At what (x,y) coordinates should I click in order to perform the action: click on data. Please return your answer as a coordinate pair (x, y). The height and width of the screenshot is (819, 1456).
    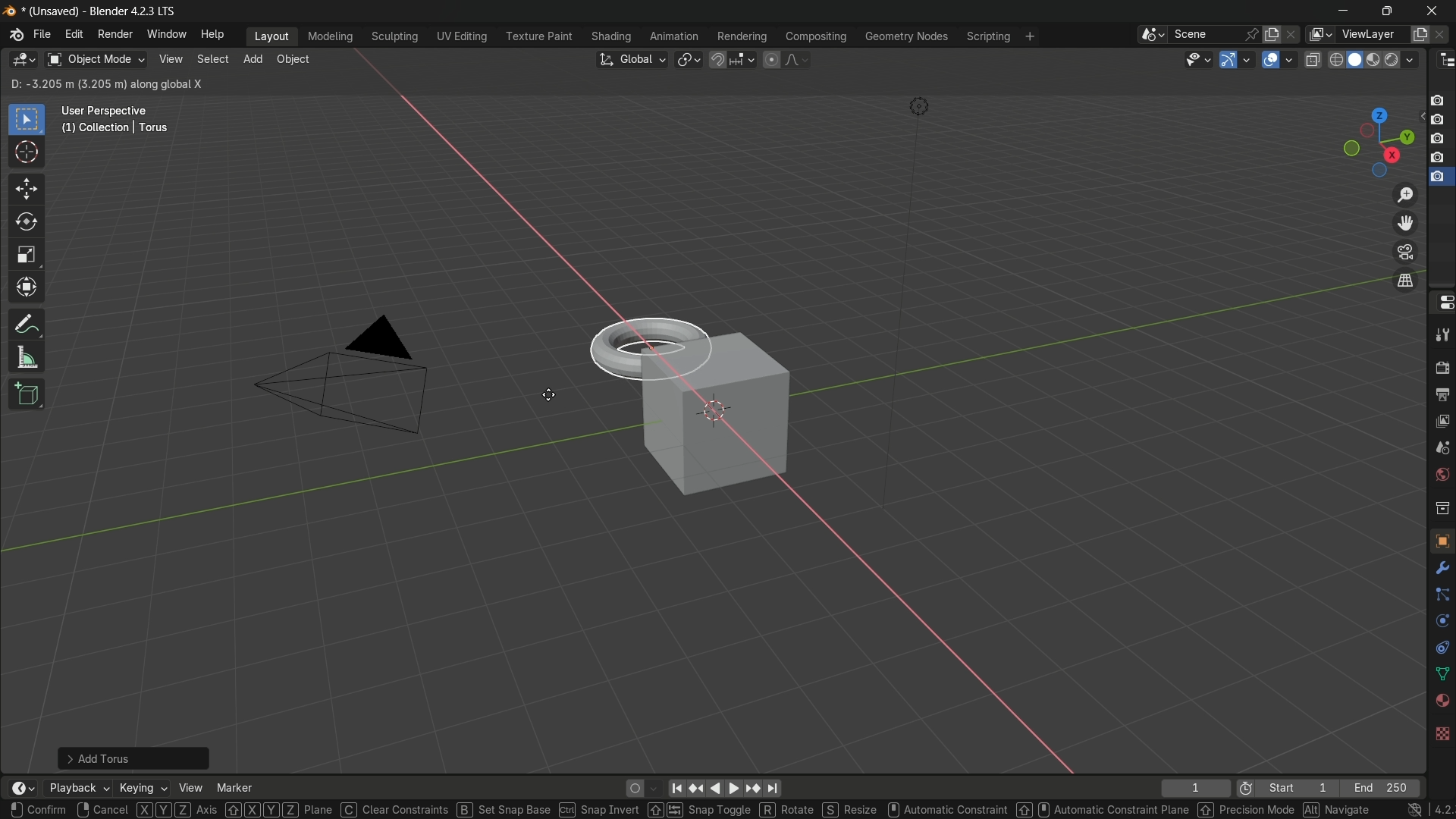
    Looking at the image, I should click on (1439, 675).